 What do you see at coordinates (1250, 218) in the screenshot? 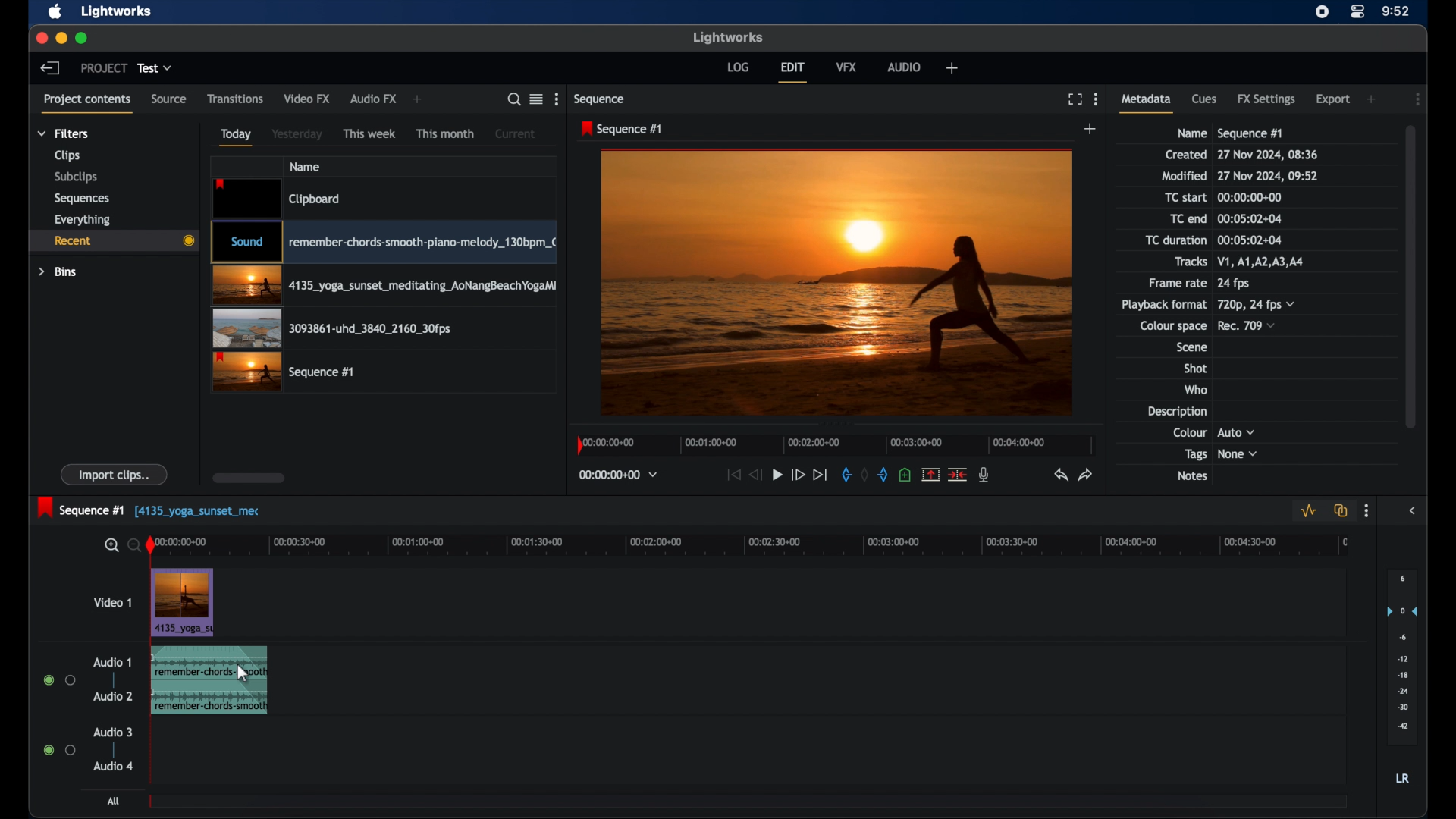
I see `tc end` at bounding box center [1250, 218].